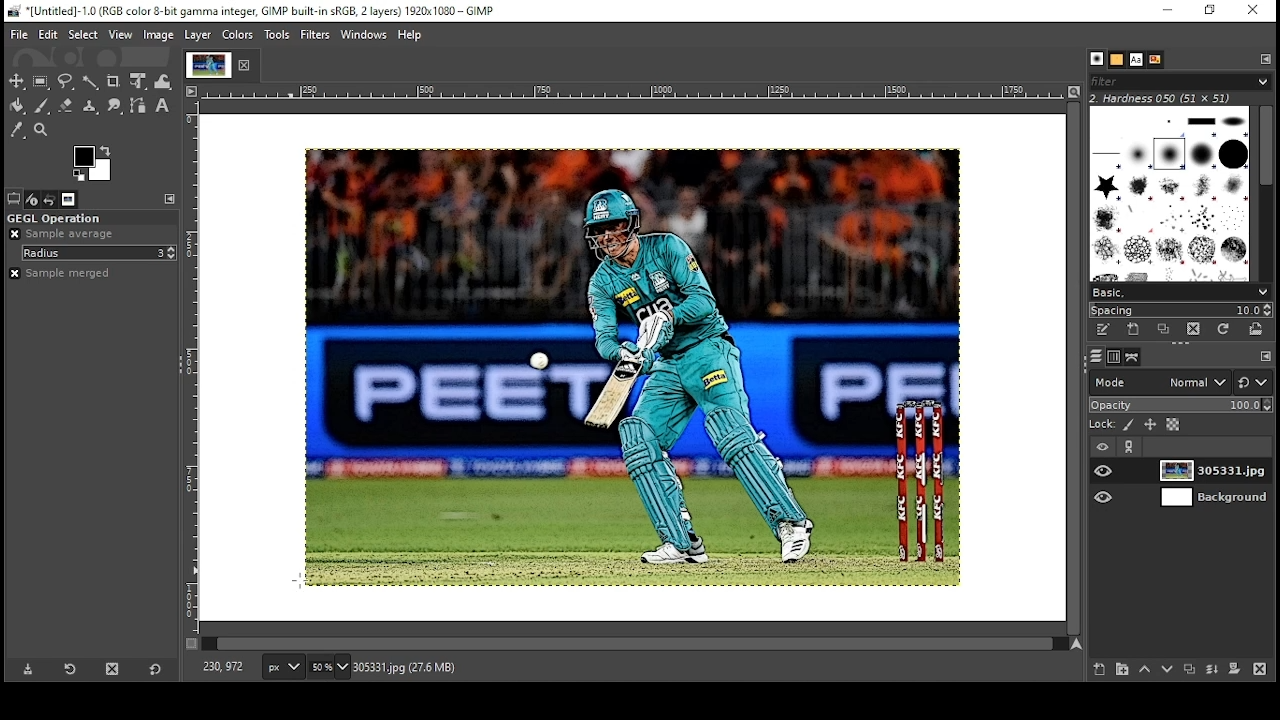 This screenshot has height=720, width=1280. I want to click on configure this tab, so click(172, 196).